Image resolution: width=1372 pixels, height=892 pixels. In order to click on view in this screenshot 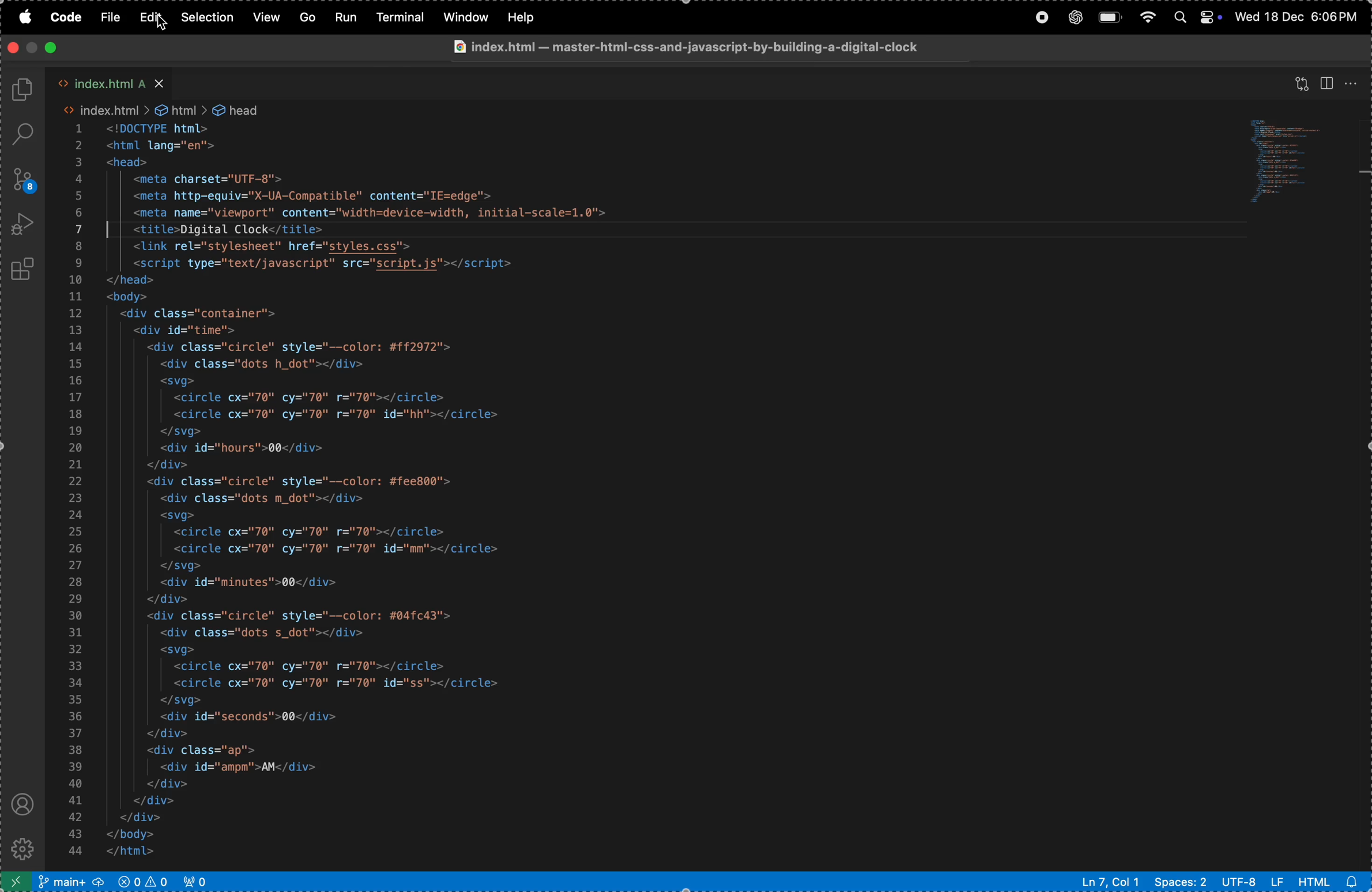, I will do `click(1302, 80)`.